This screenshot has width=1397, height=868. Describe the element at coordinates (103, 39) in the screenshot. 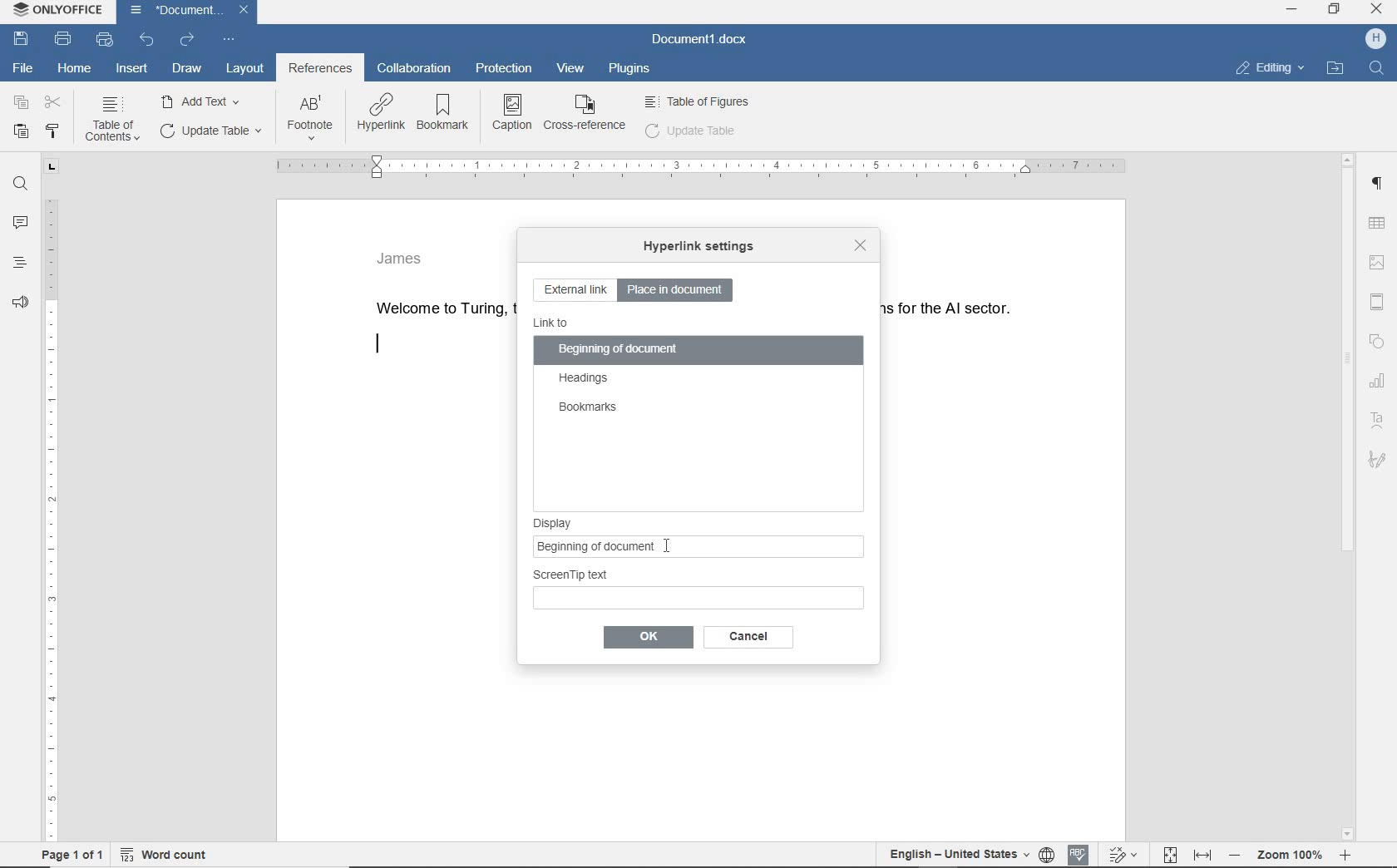

I see `quick print` at that location.